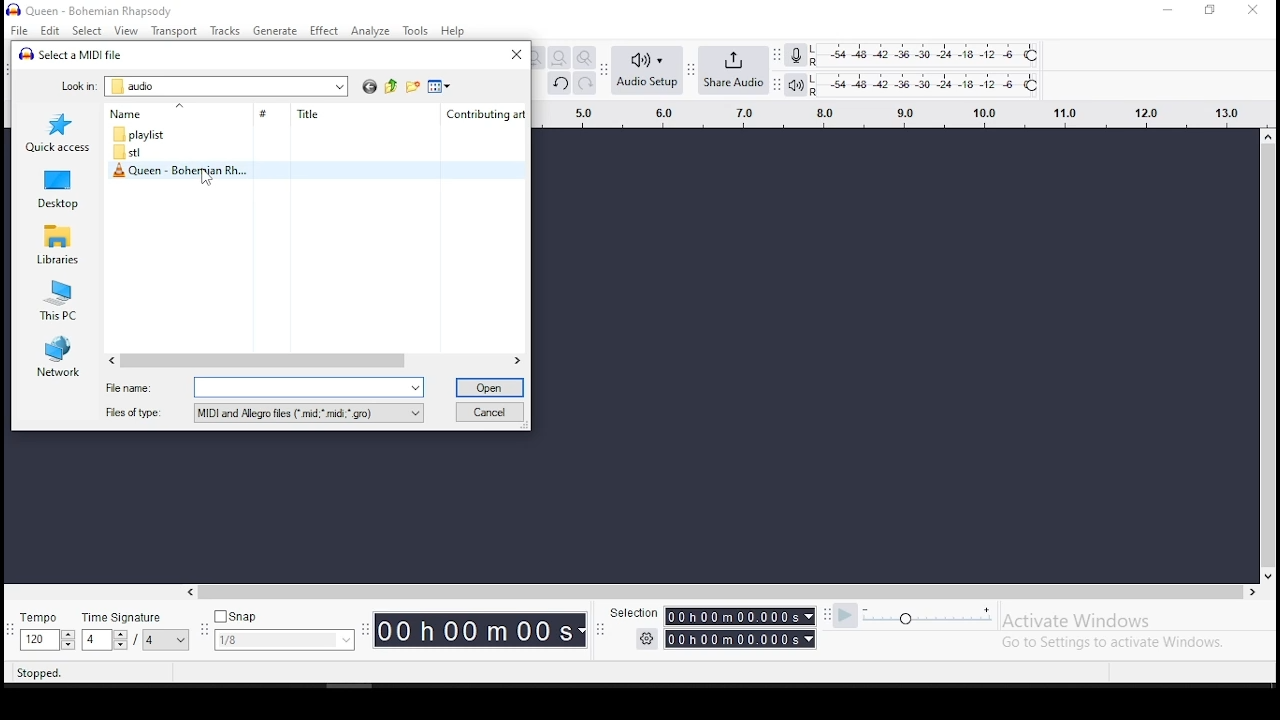 Image resolution: width=1280 pixels, height=720 pixels. Describe the element at coordinates (394, 86) in the screenshot. I see `up` at that location.